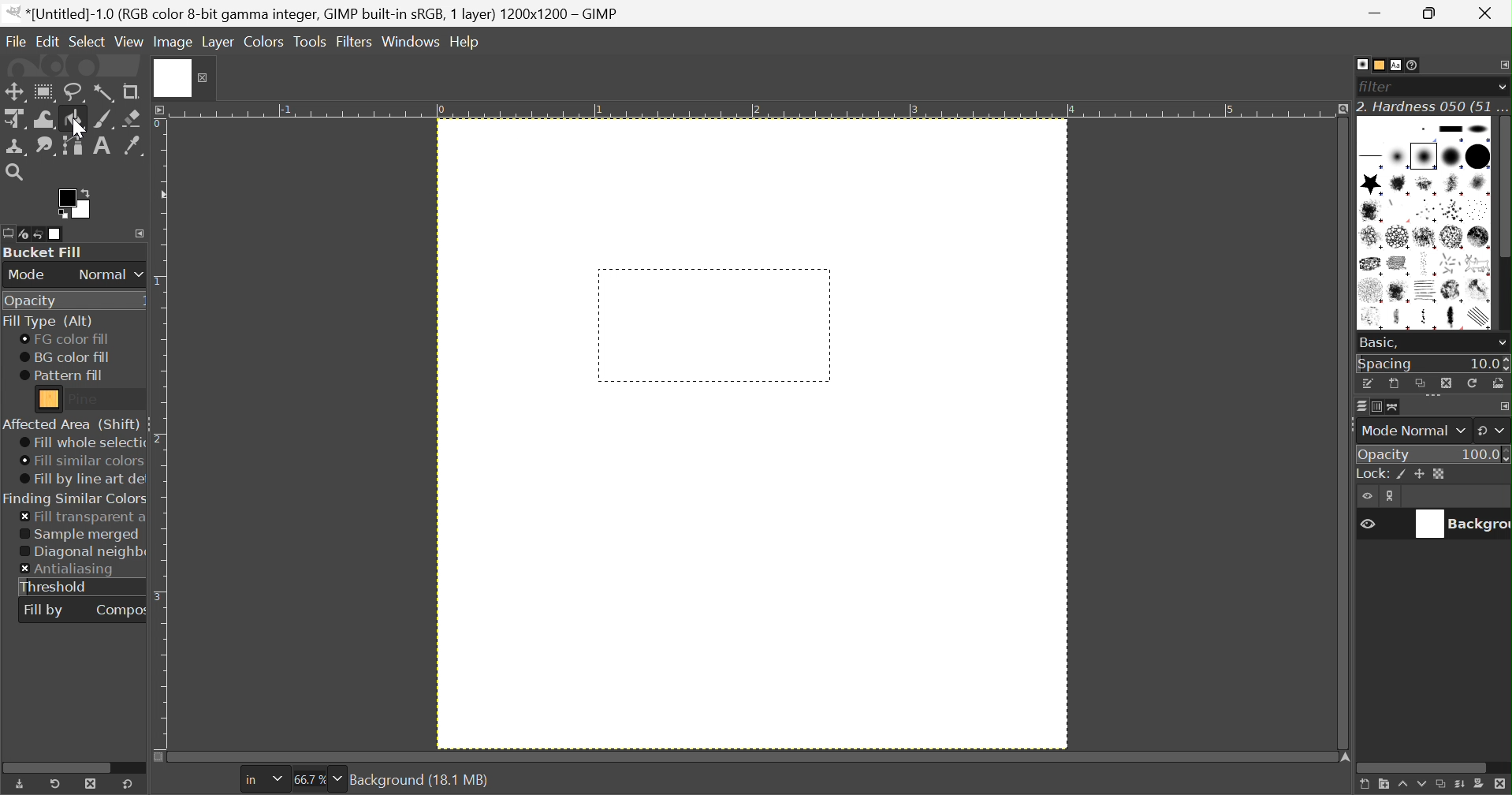 This screenshot has height=795, width=1512. What do you see at coordinates (1394, 384) in the screenshot?
I see `Create a new brush` at bounding box center [1394, 384].